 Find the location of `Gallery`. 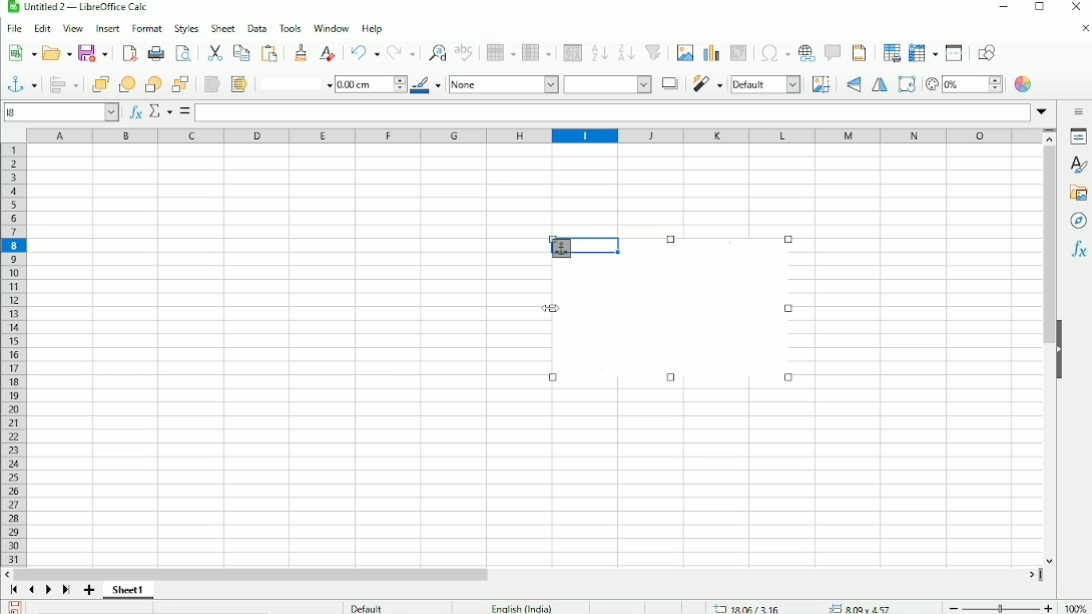

Gallery is located at coordinates (1077, 193).